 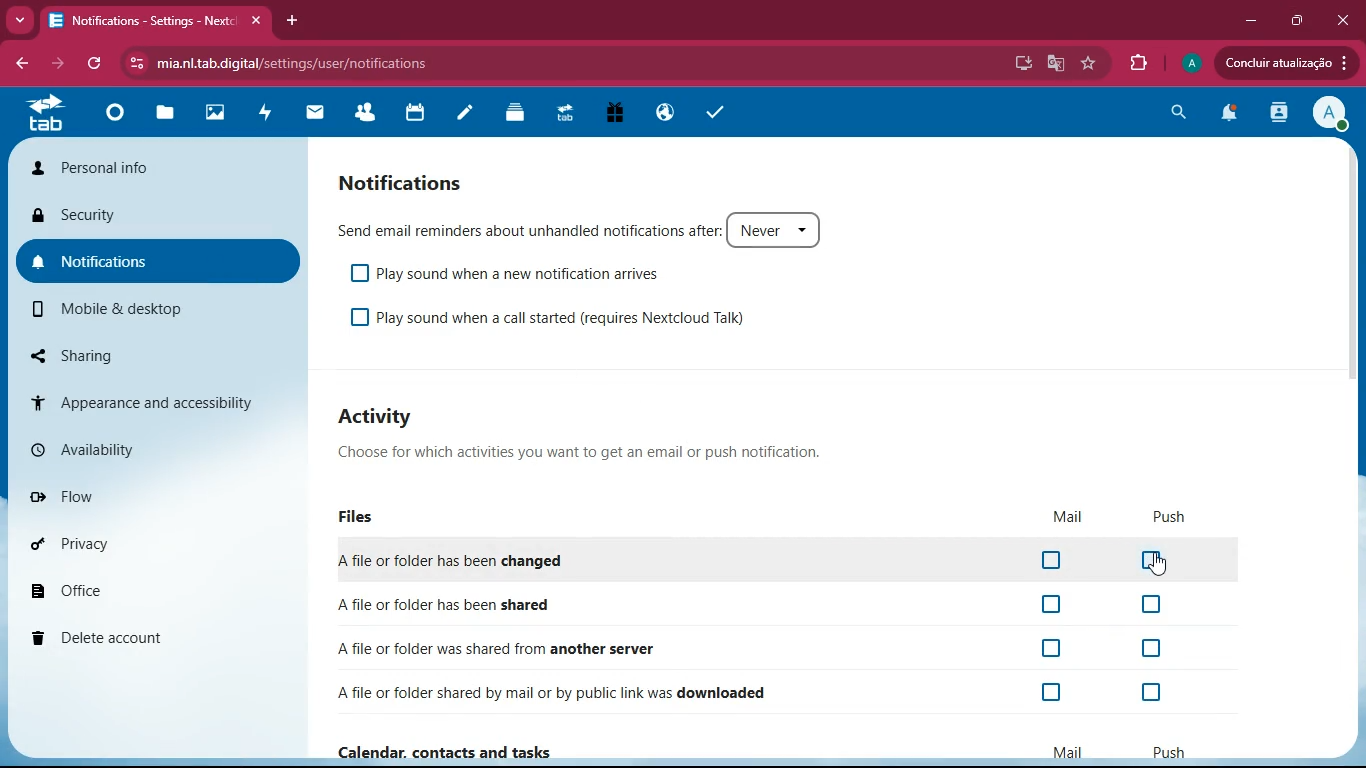 What do you see at coordinates (575, 452) in the screenshot?
I see `choose` at bounding box center [575, 452].